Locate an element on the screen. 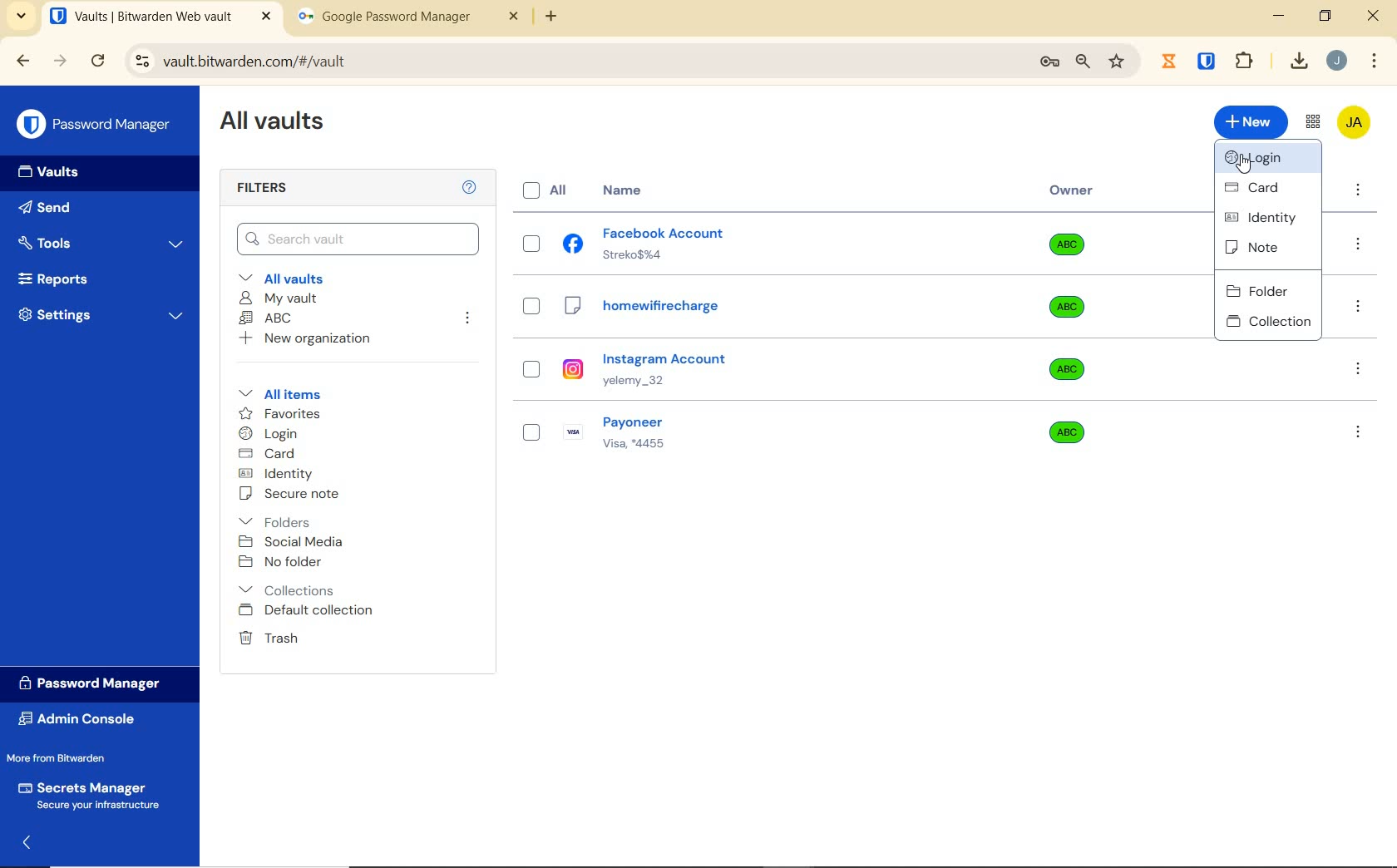  reload is located at coordinates (97, 62).